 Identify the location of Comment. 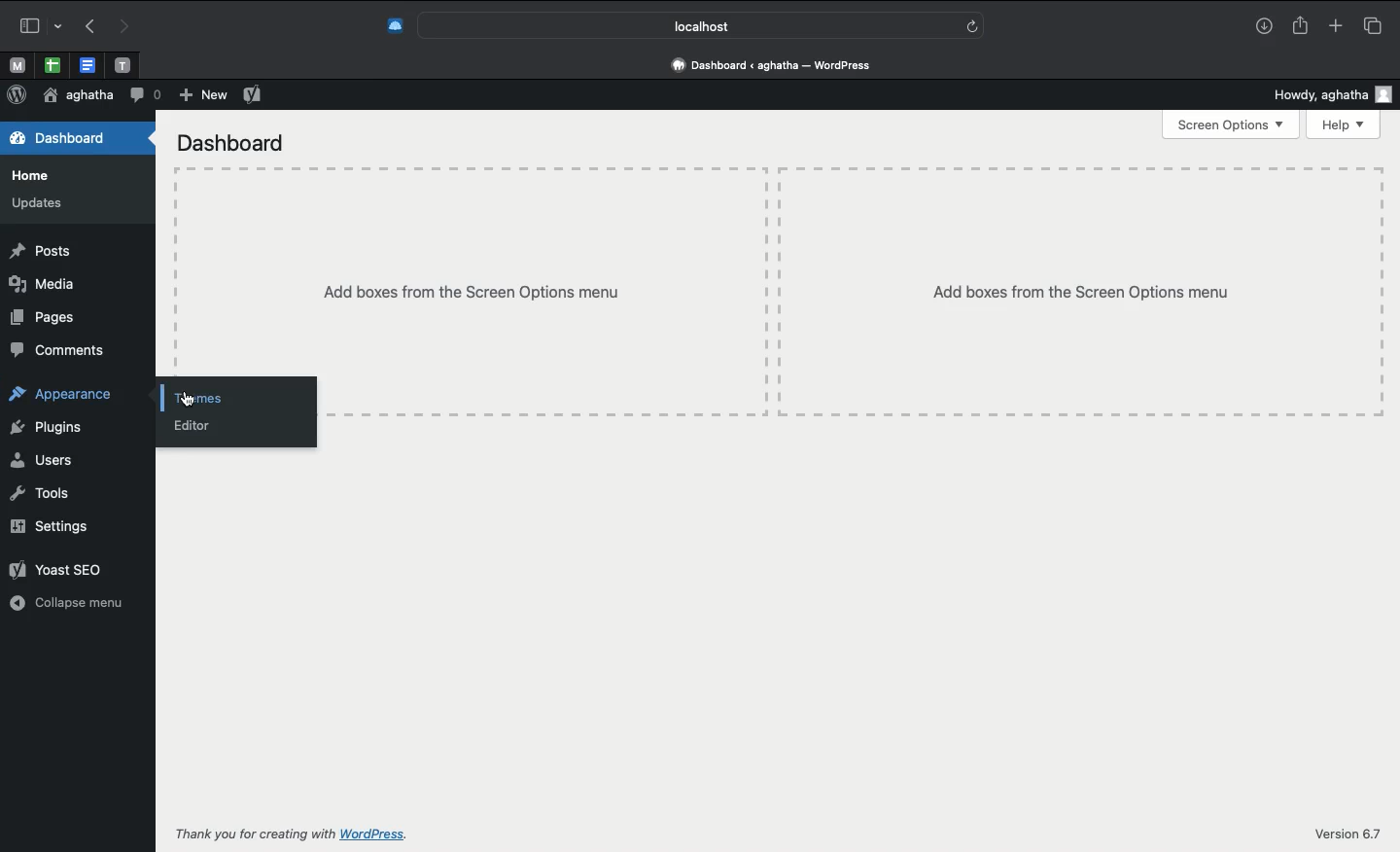
(141, 95).